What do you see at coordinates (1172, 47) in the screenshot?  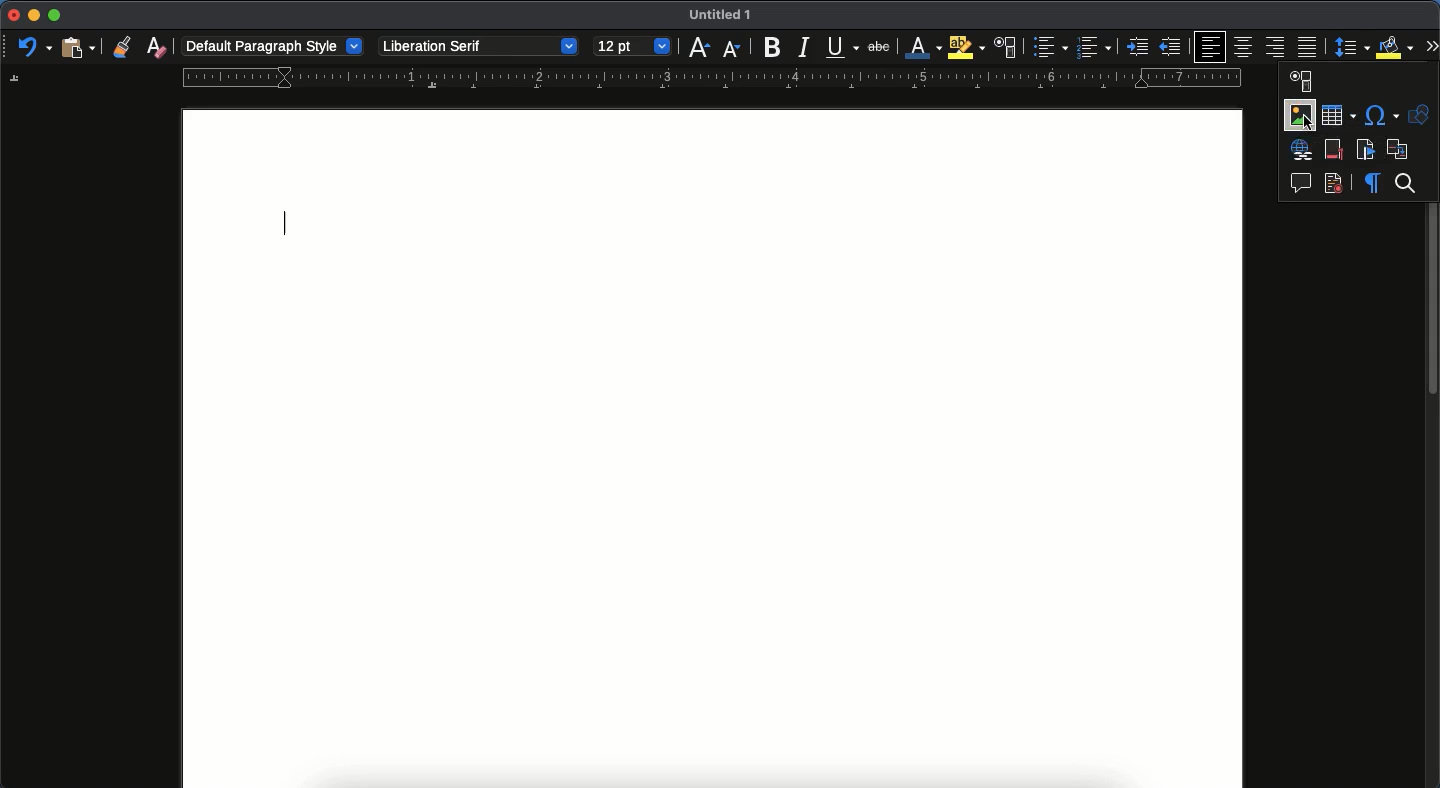 I see `unindent` at bounding box center [1172, 47].